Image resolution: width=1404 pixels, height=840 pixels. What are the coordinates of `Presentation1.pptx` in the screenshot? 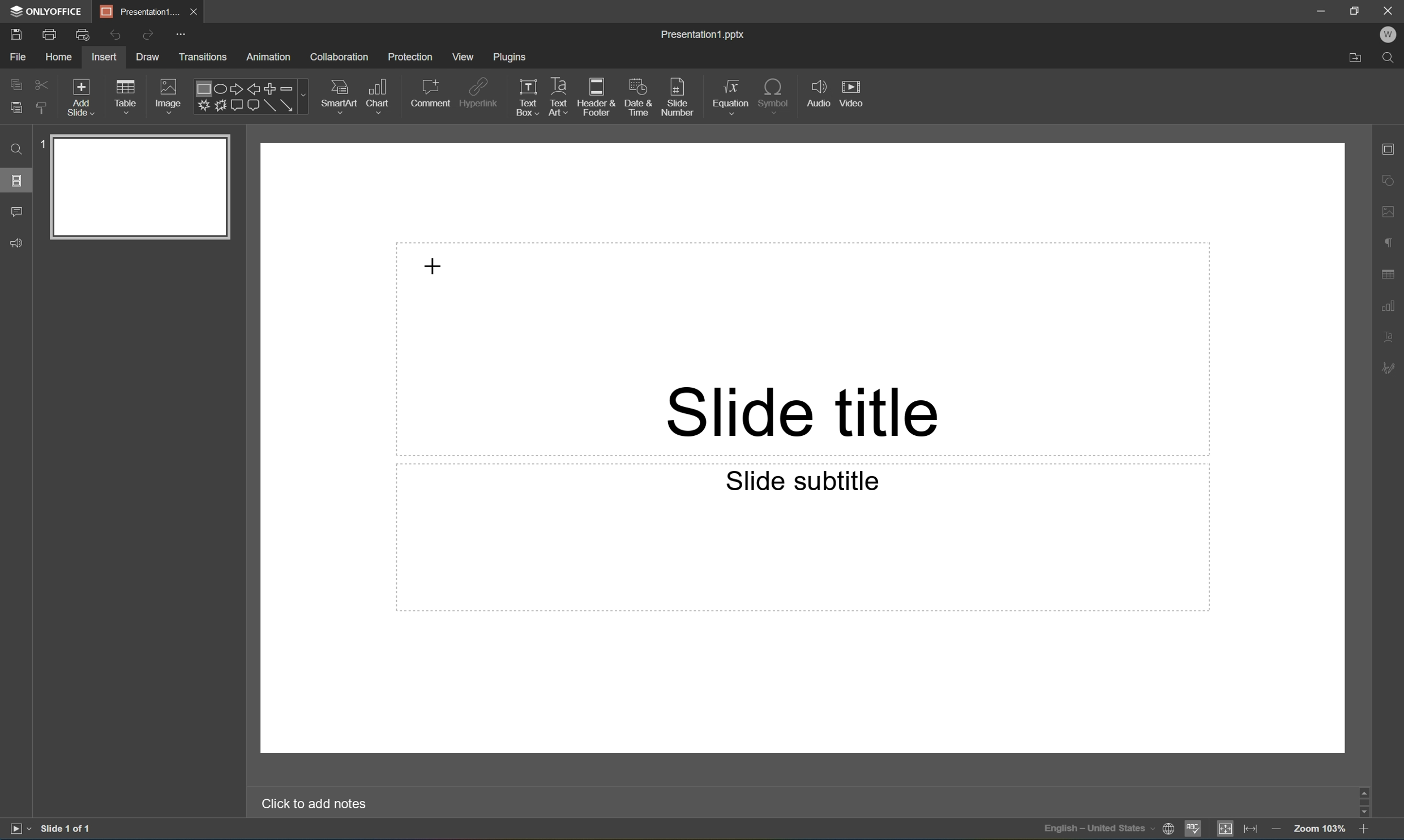 It's located at (705, 36).